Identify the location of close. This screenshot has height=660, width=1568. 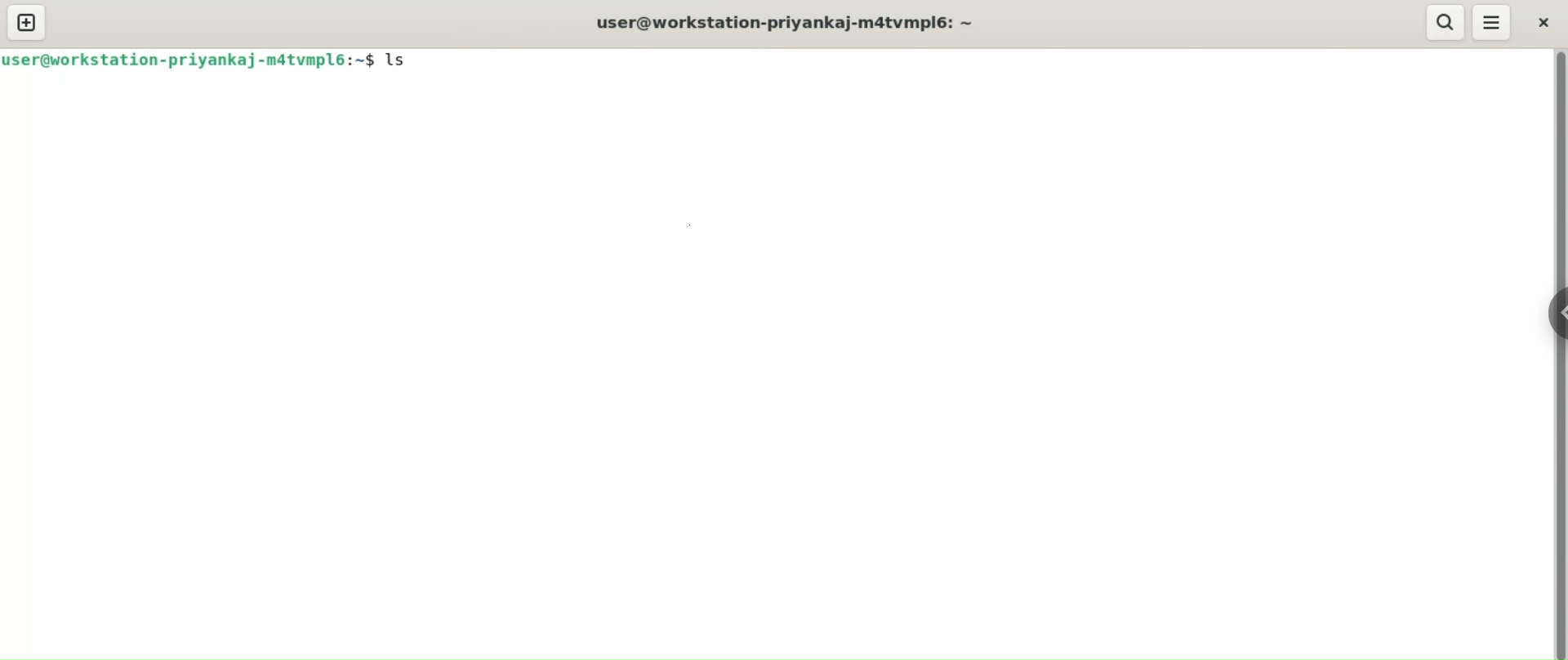
(1546, 23).